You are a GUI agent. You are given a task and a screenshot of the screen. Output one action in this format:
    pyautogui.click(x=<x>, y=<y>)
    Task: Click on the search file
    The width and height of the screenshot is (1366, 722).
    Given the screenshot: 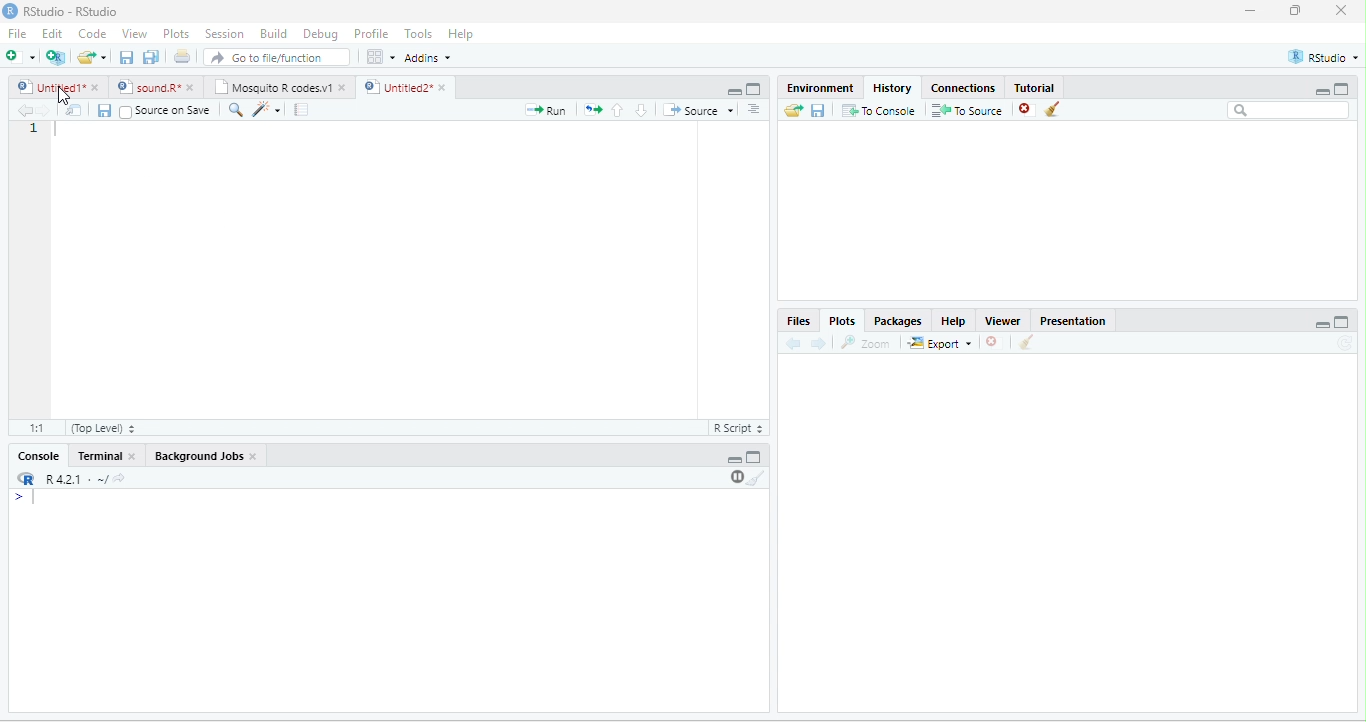 What is the action you would take?
    pyautogui.click(x=278, y=57)
    